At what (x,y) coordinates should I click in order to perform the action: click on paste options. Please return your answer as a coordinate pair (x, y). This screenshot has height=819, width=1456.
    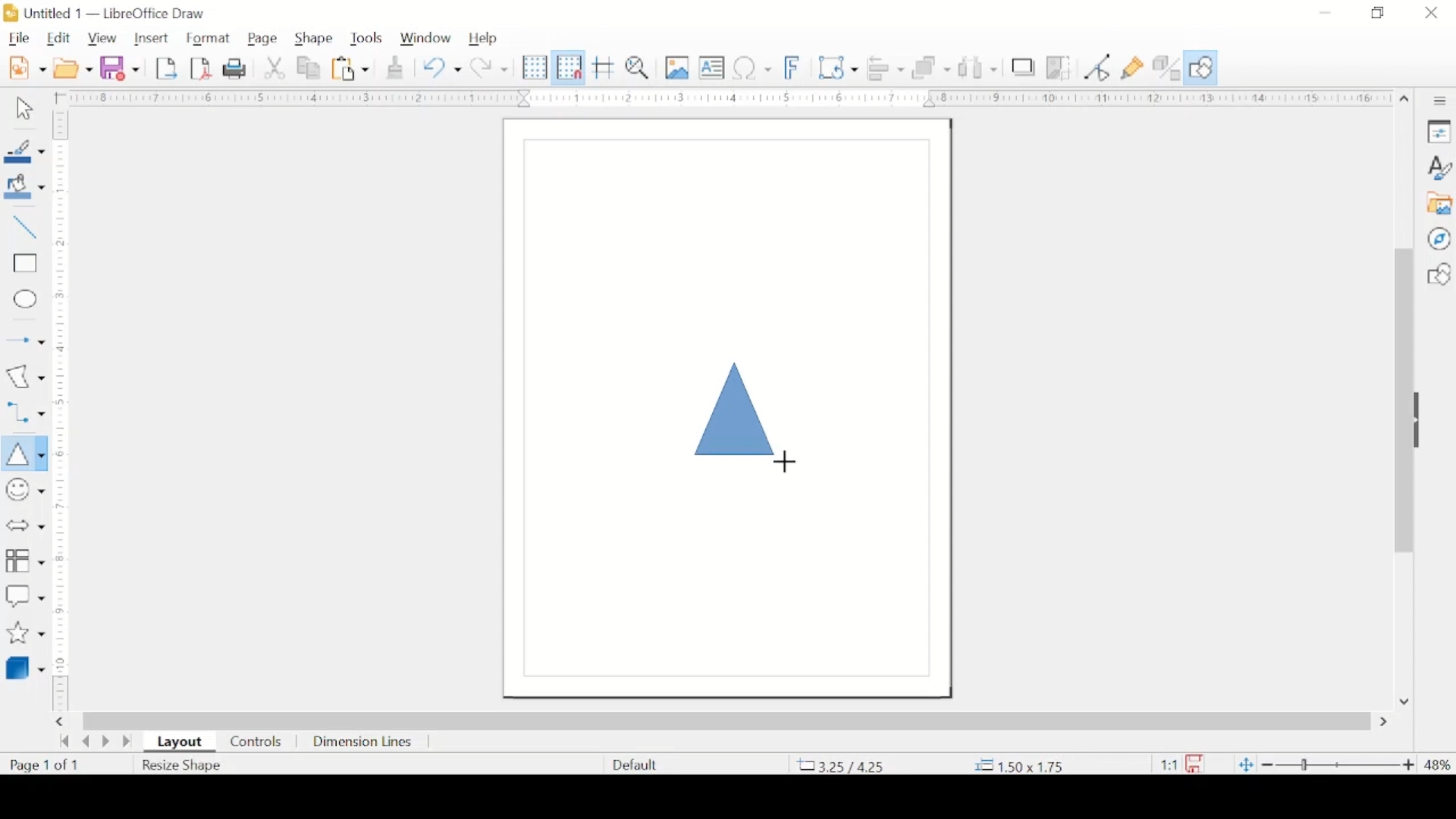
    Looking at the image, I should click on (351, 69).